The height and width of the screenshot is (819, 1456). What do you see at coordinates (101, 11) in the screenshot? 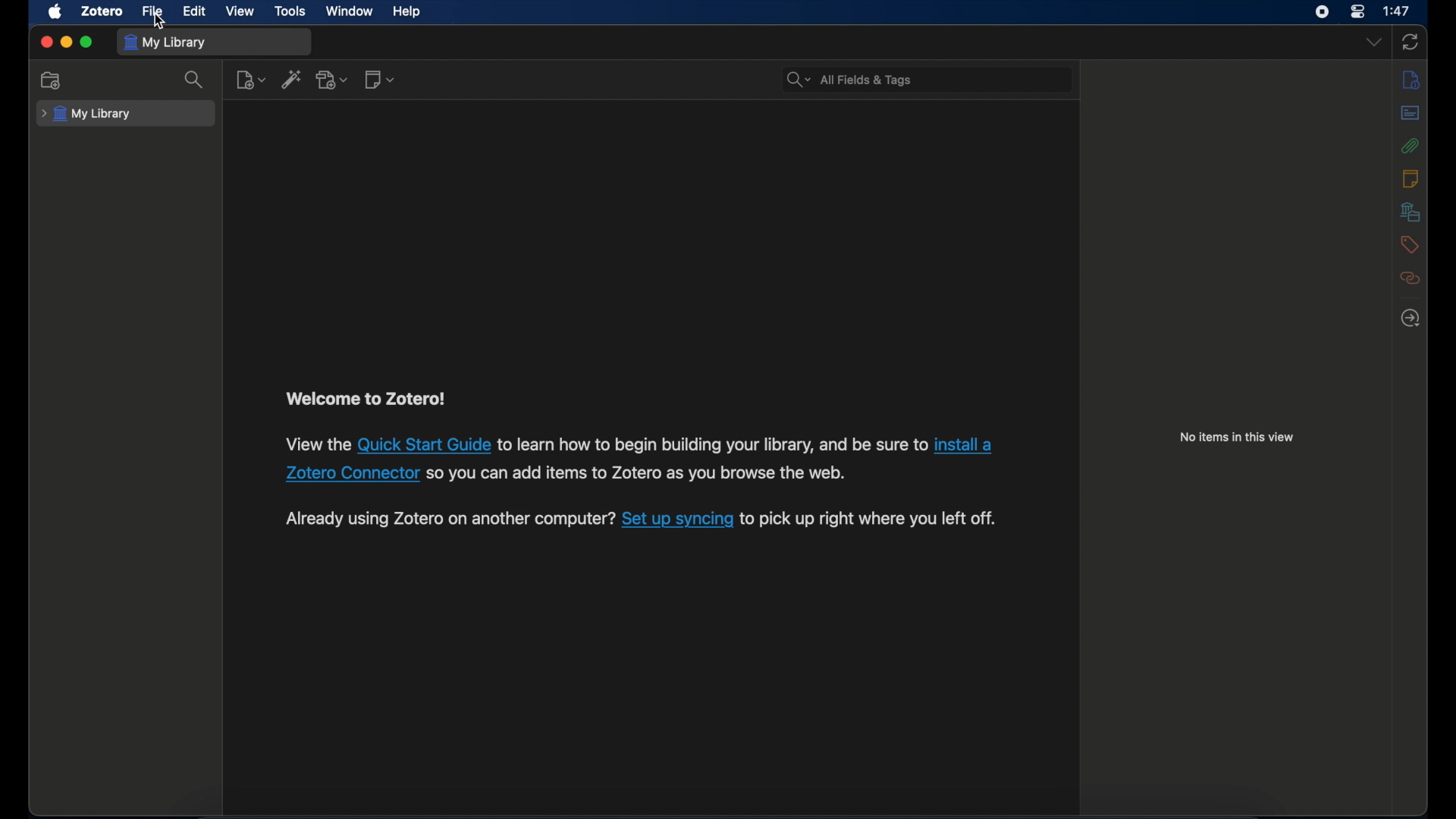
I see `zotero` at bounding box center [101, 11].